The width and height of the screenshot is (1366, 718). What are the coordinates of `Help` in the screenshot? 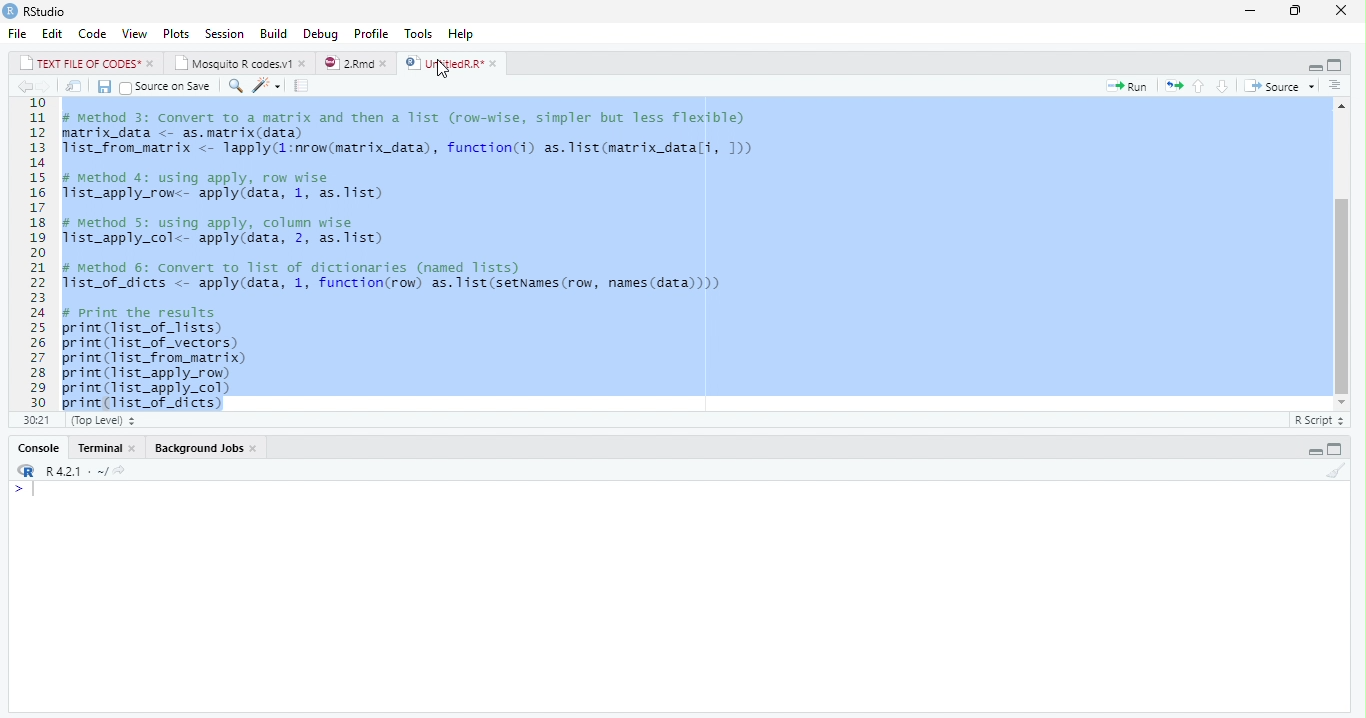 It's located at (465, 34).